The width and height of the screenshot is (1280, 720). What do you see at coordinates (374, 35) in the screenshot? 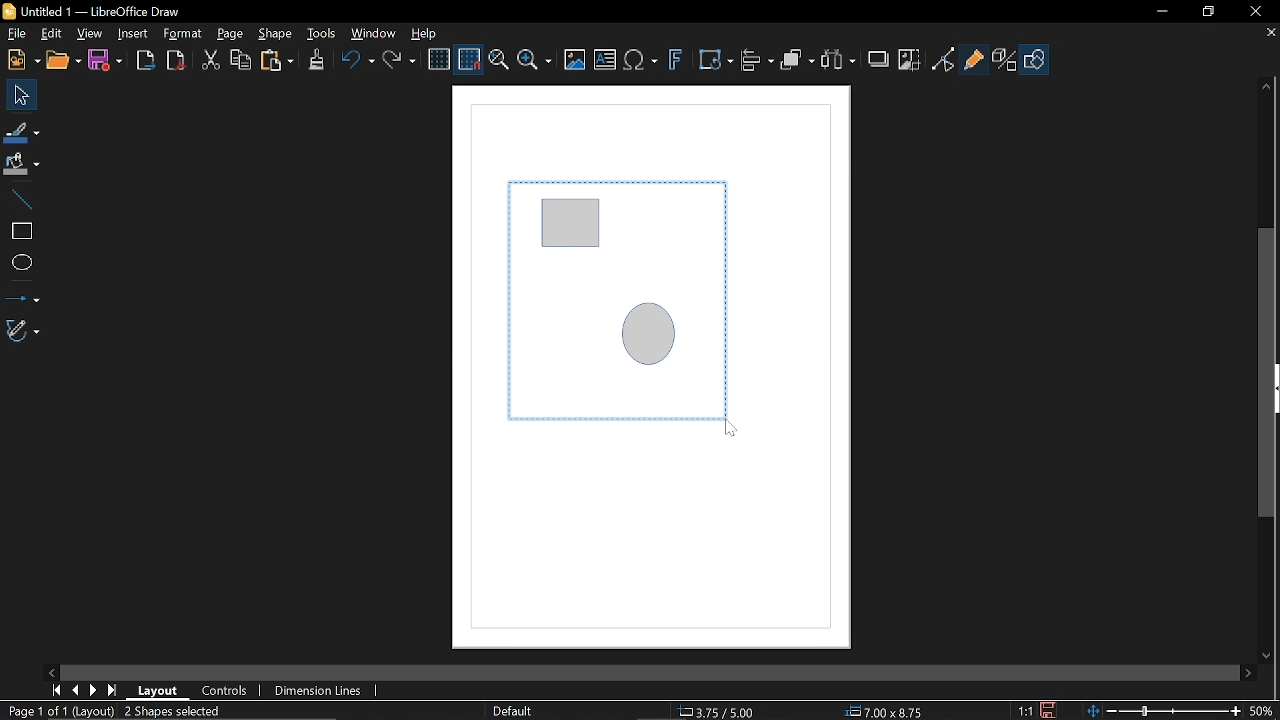
I see `Window` at bounding box center [374, 35].